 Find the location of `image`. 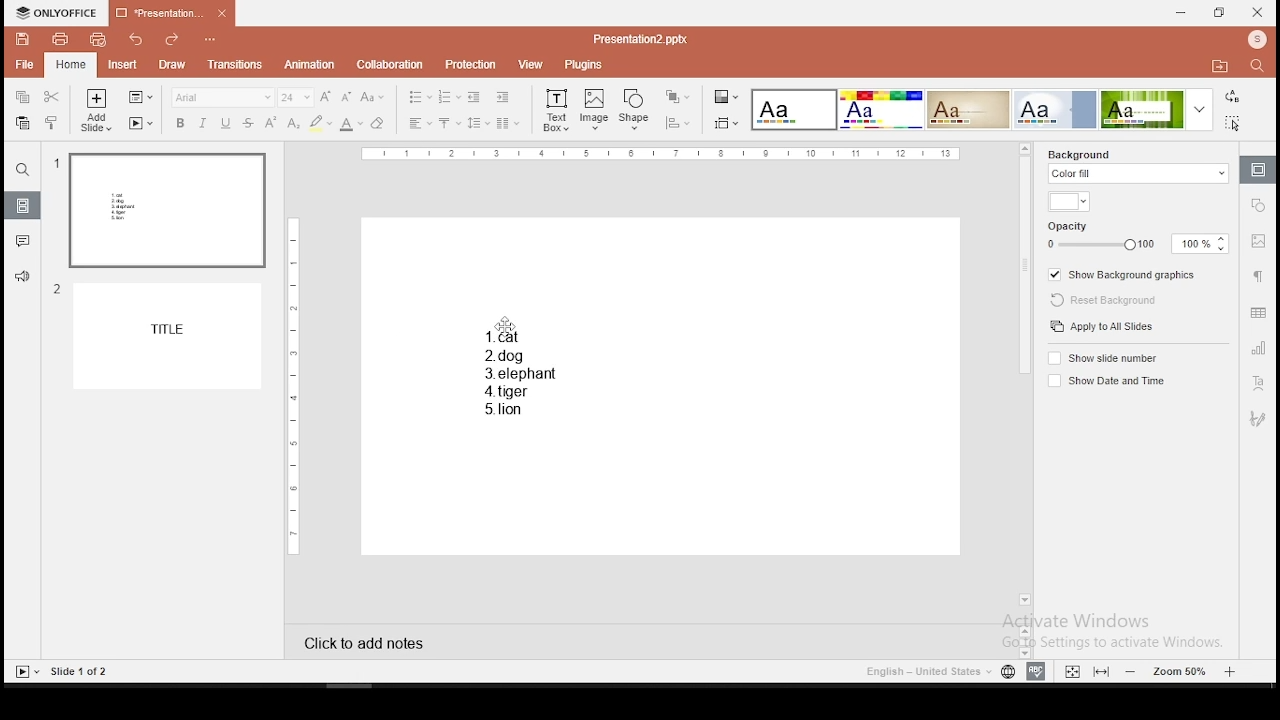

image is located at coordinates (595, 110).